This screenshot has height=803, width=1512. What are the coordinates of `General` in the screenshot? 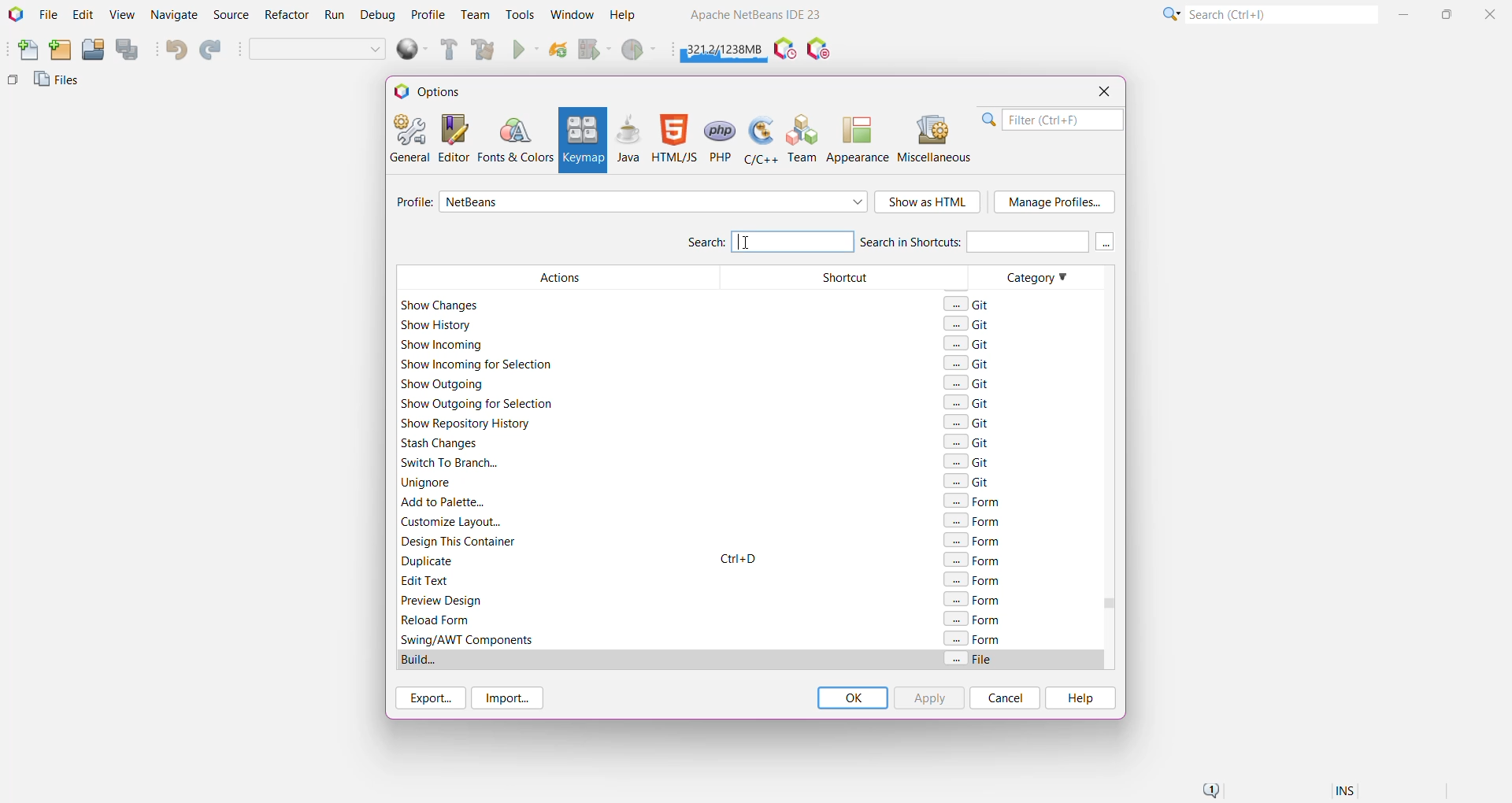 It's located at (408, 137).